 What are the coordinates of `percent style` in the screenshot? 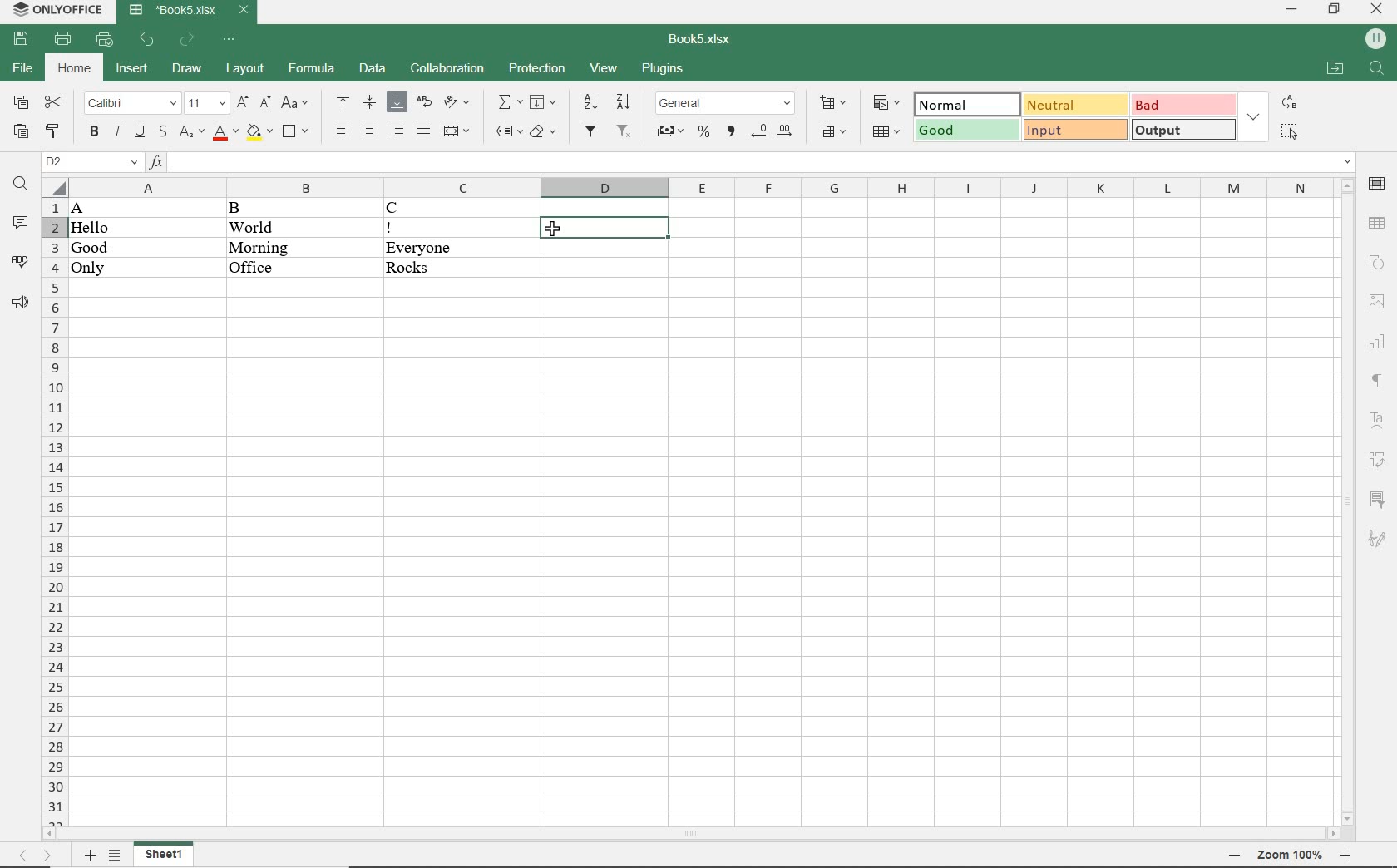 It's located at (703, 133).